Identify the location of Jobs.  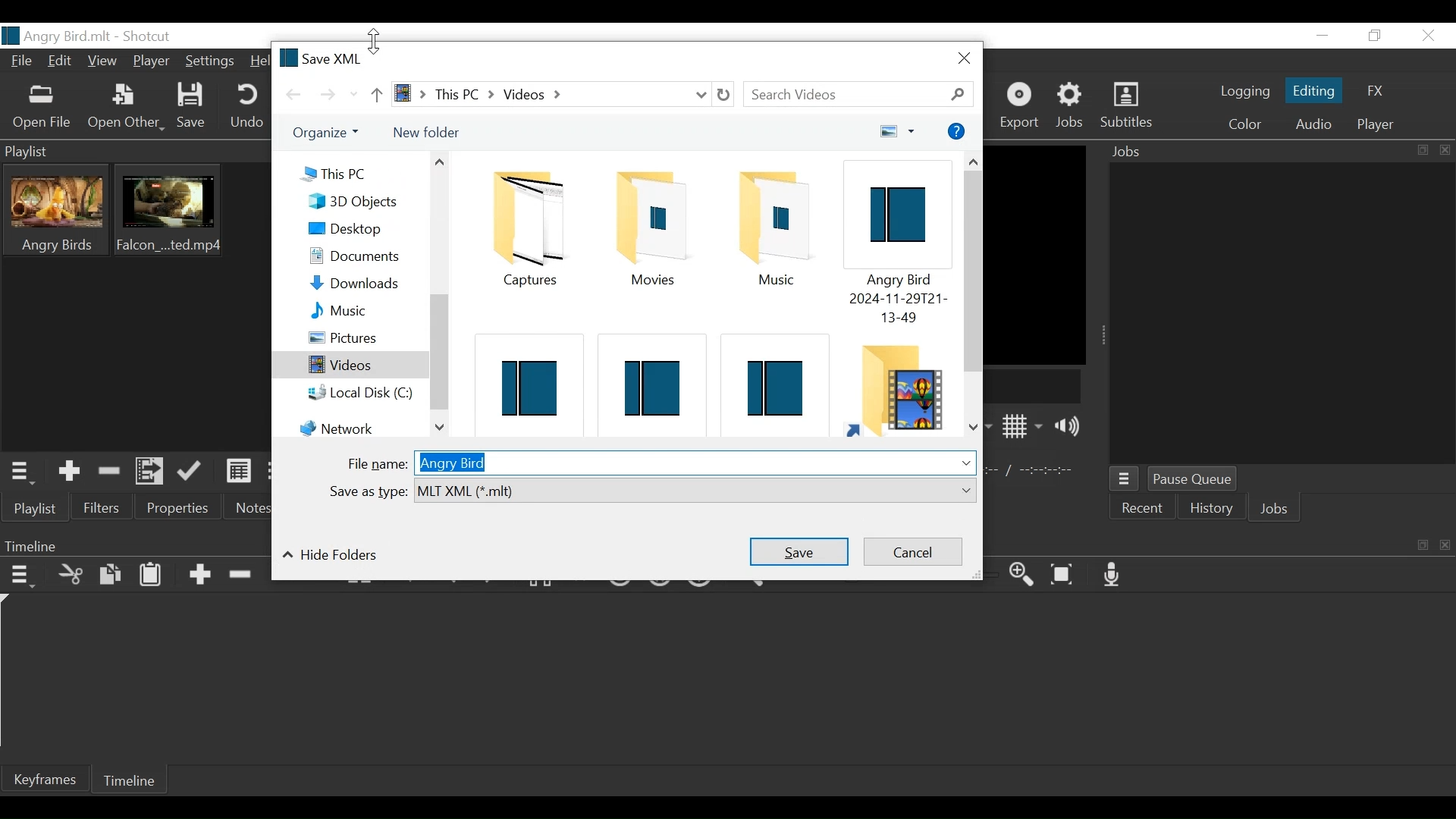
(1071, 106).